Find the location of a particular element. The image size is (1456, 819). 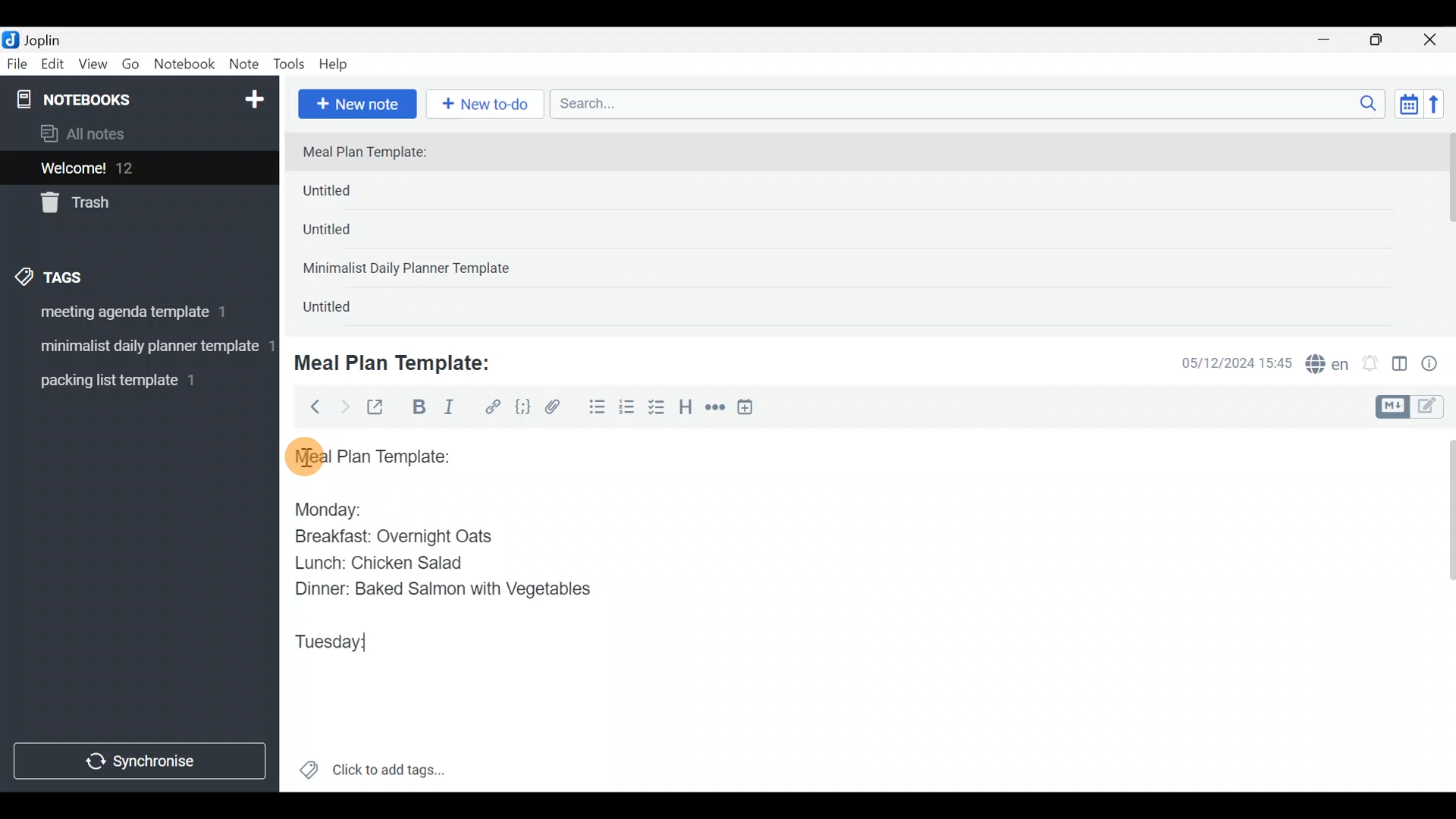

Tags is located at coordinates (85, 275).